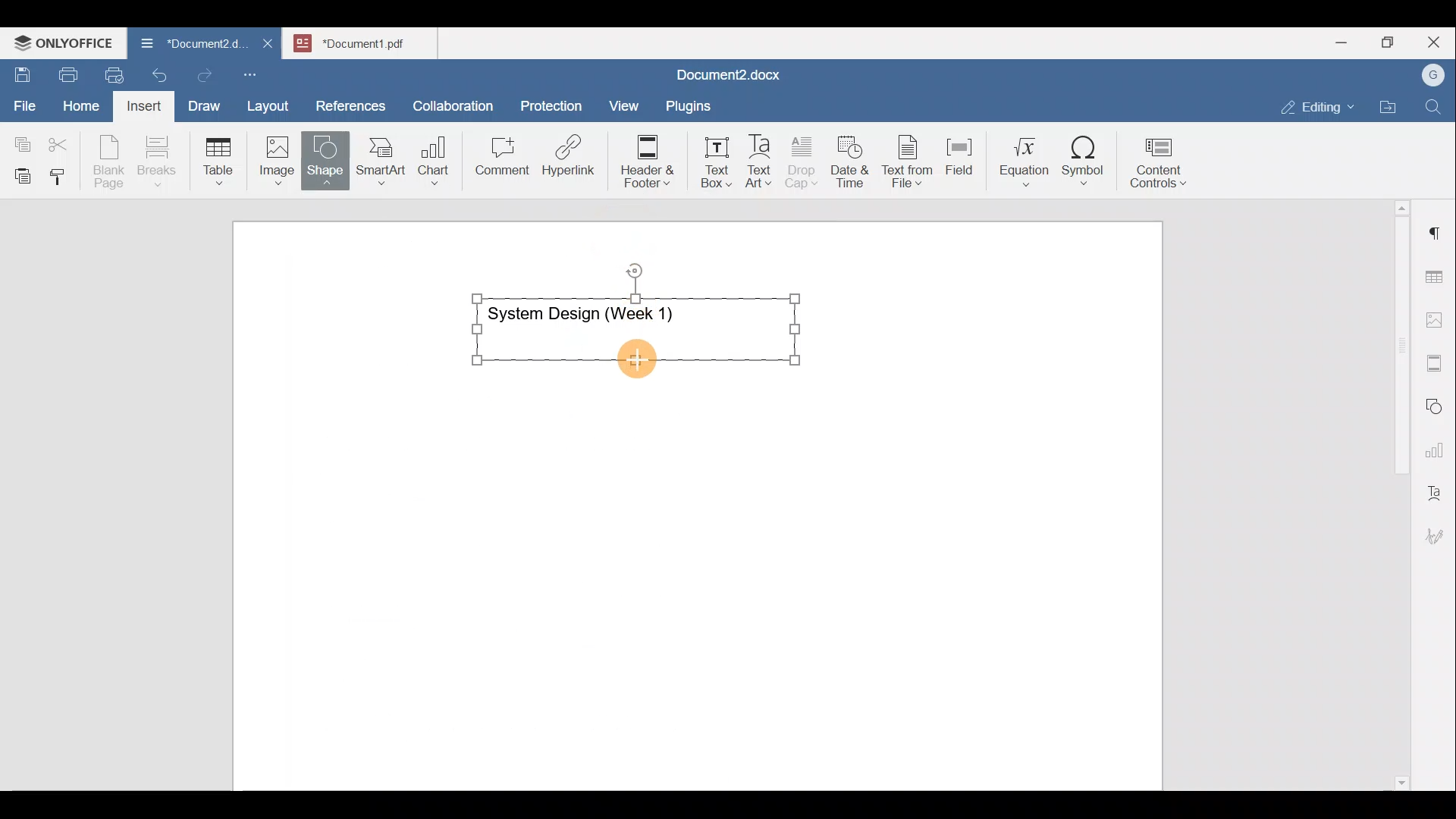  I want to click on Header & footer, so click(642, 160).